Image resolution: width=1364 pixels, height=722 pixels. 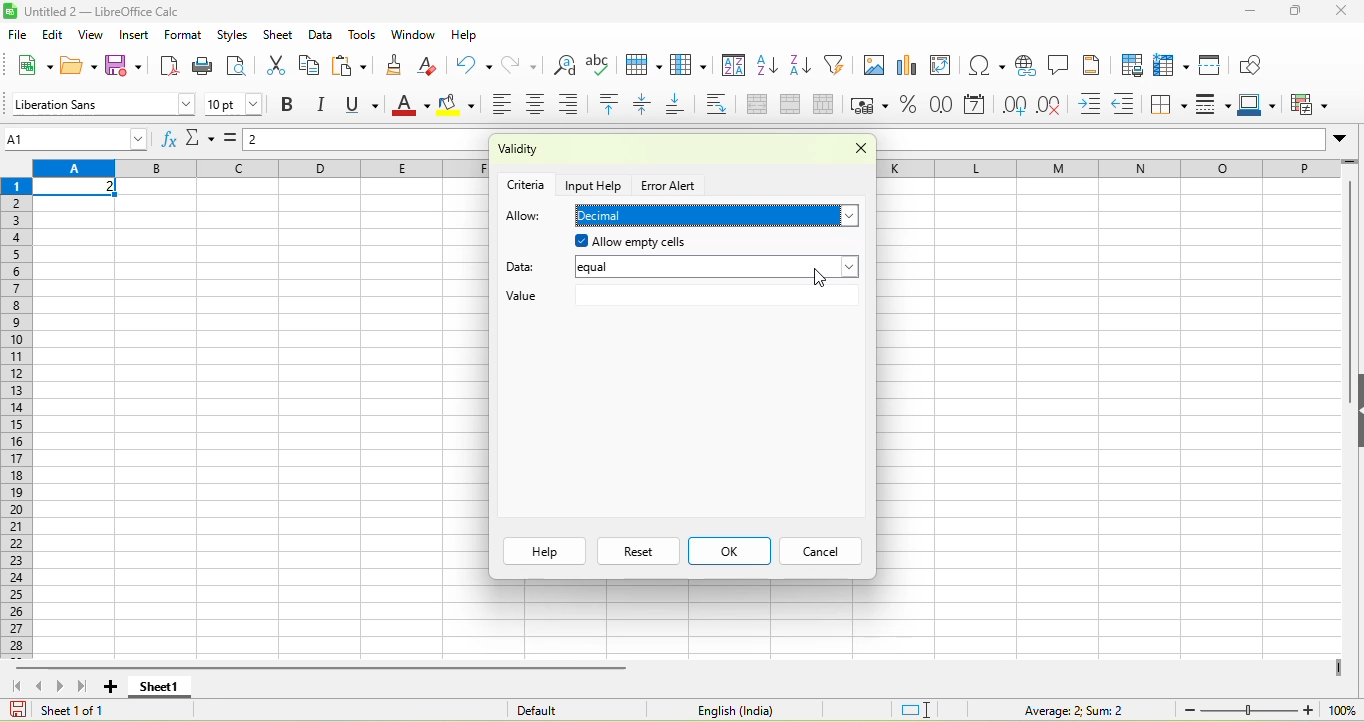 What do you see at coordinates (563, 709) in the screenshot?
I see `default` at bounding box center [563, 709].